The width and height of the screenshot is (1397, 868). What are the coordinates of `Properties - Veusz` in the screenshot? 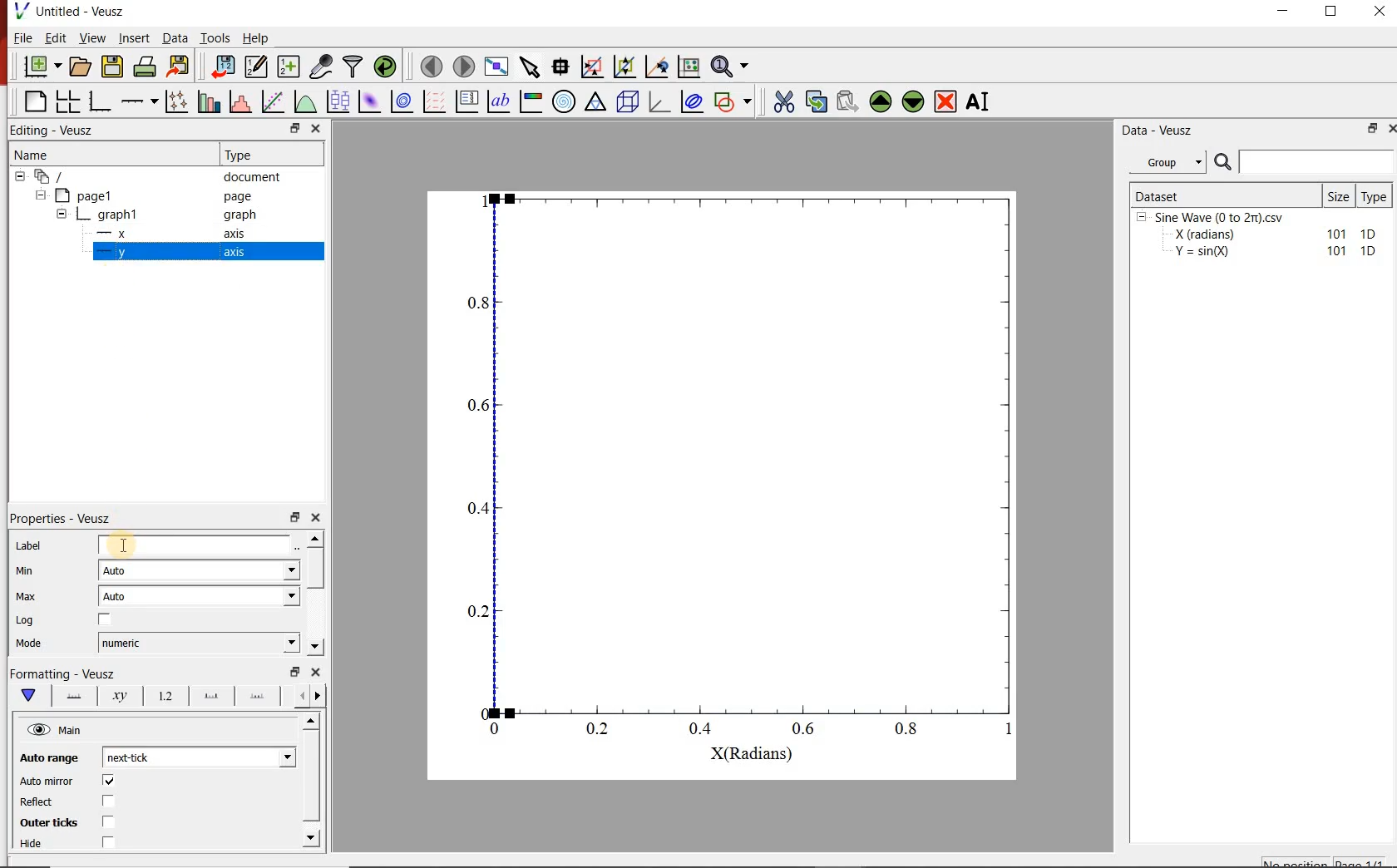 It's located at (62, 518).